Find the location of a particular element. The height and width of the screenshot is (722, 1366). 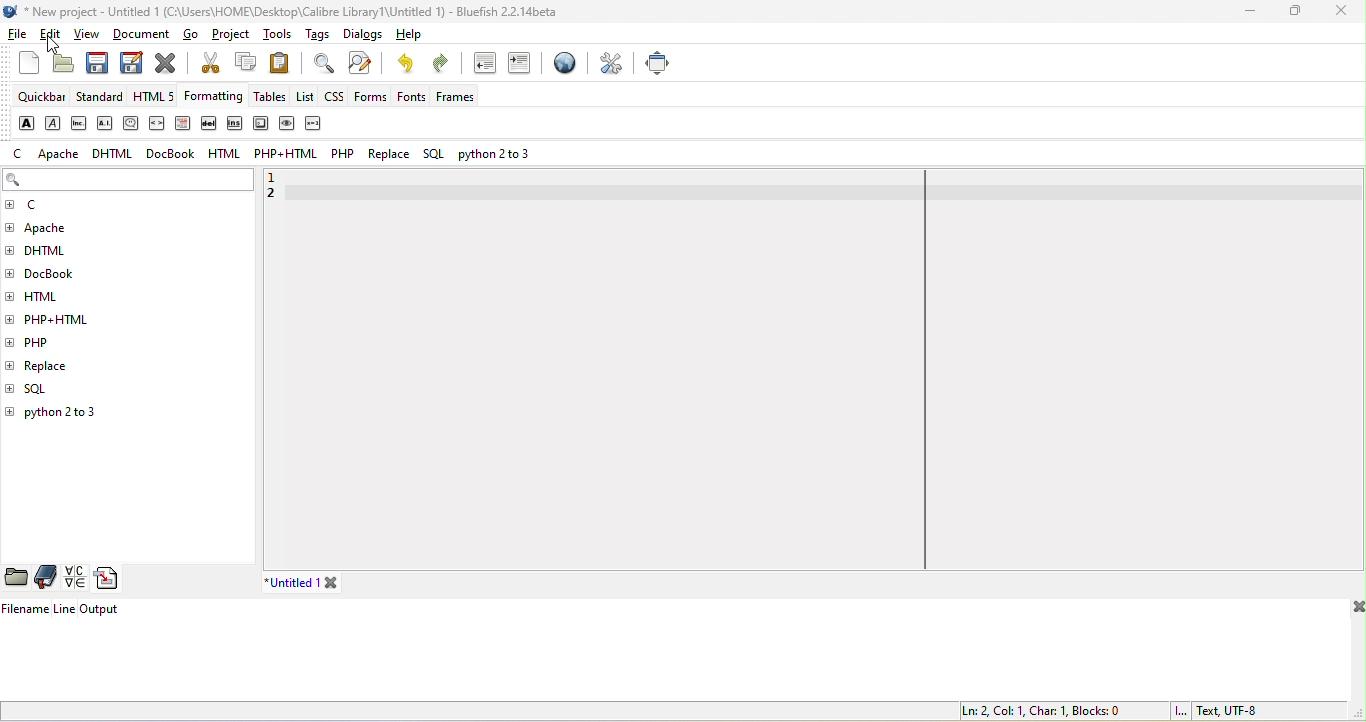

view is located at coordinates (88, 36).